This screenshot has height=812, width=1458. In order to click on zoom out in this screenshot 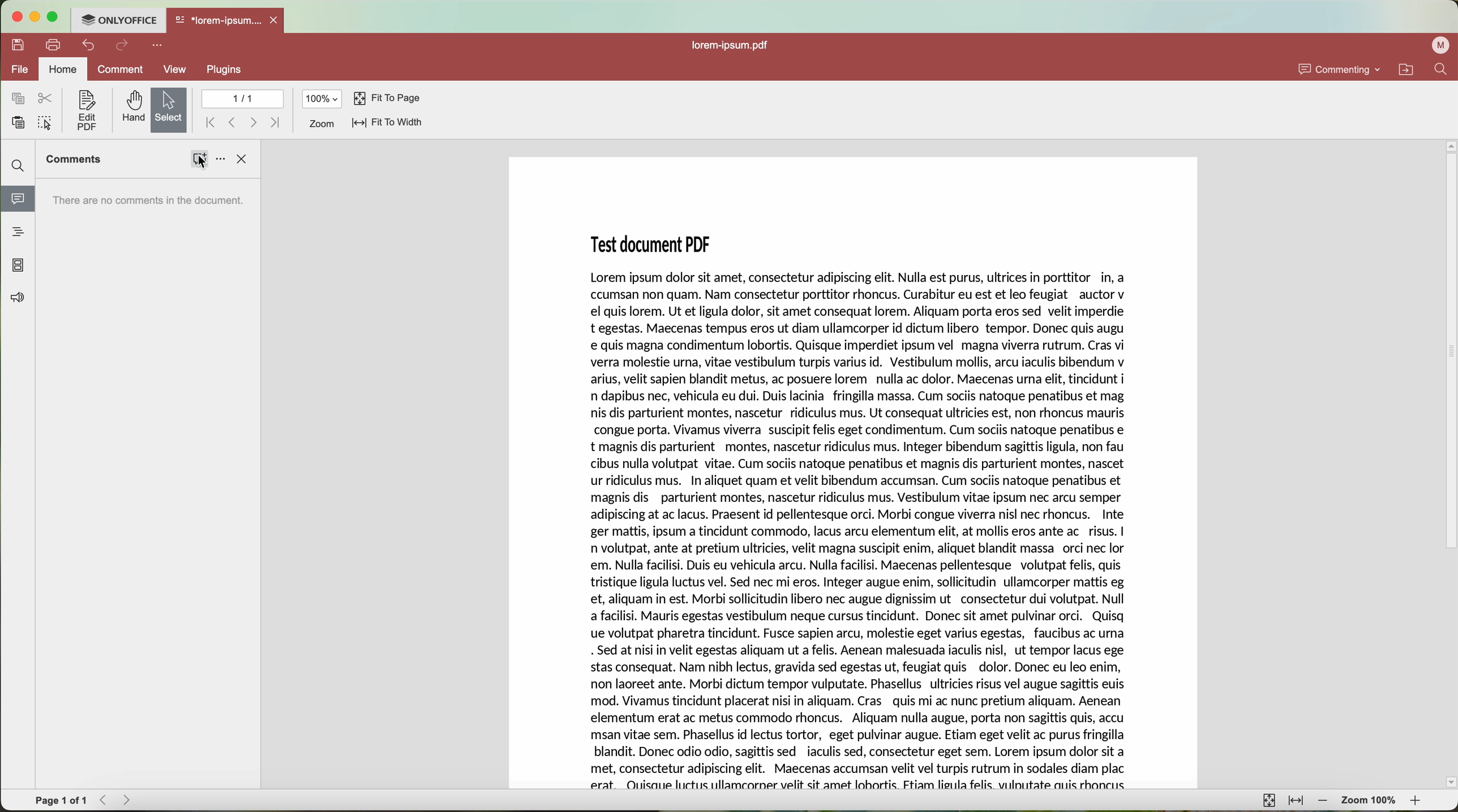, I will do `click(1324, 802)`.